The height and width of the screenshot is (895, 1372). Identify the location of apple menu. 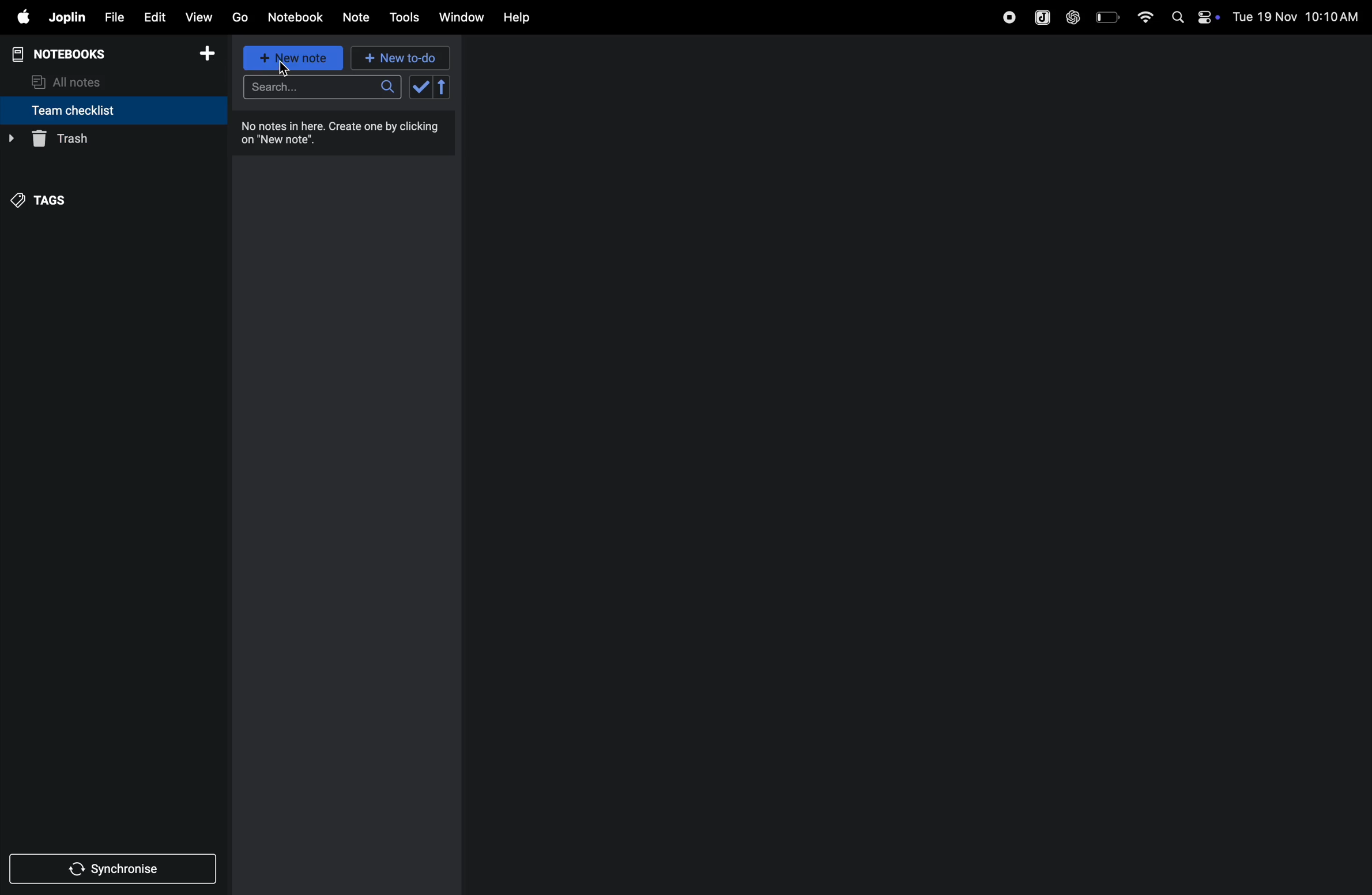
(22, 18).